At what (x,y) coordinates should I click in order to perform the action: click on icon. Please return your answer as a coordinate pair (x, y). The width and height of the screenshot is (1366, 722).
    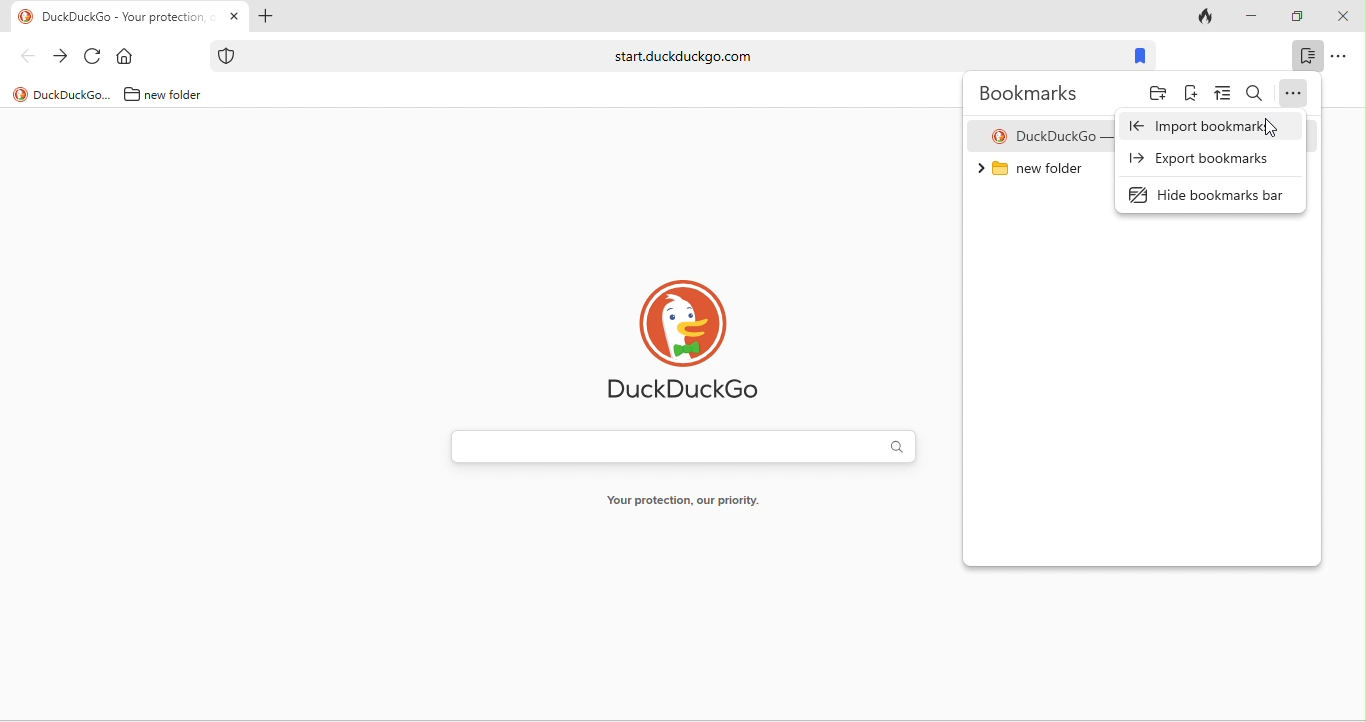
    Looking at the image, I should click on (26, 17).